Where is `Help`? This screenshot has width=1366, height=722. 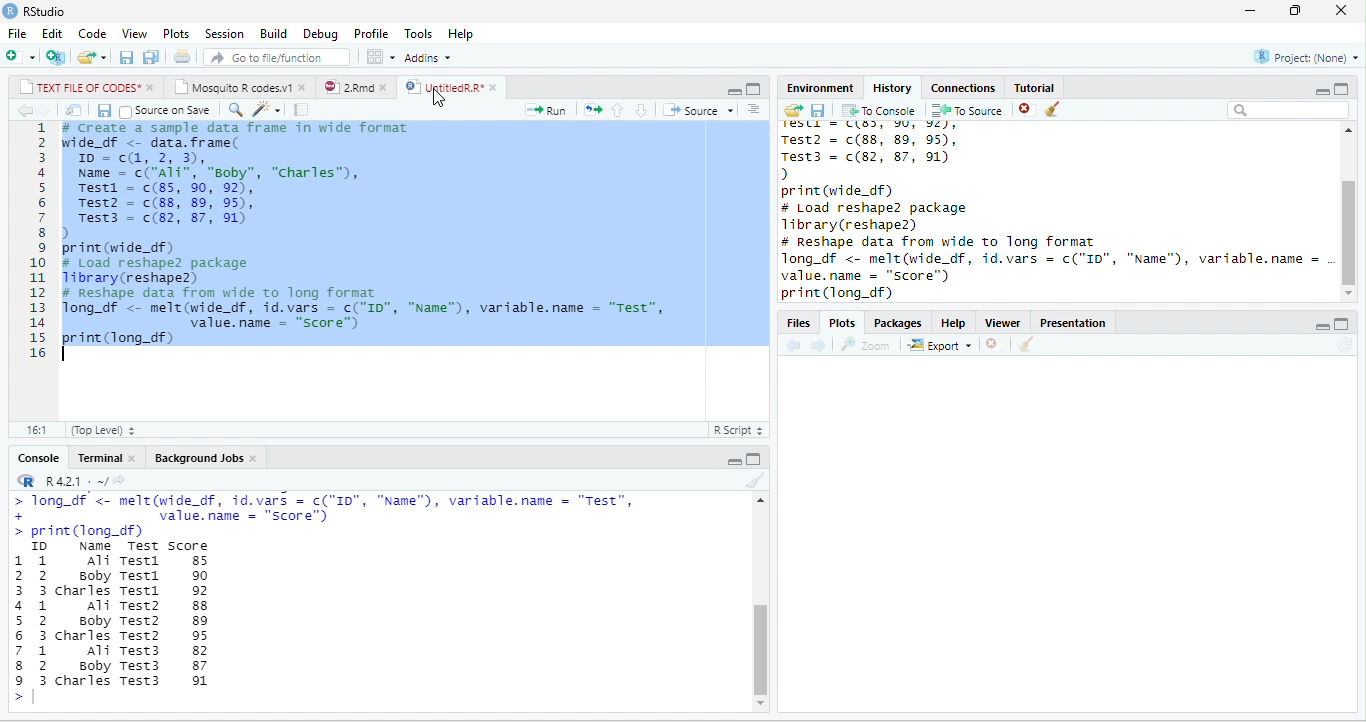
Help is located at coordinates (460, 34).